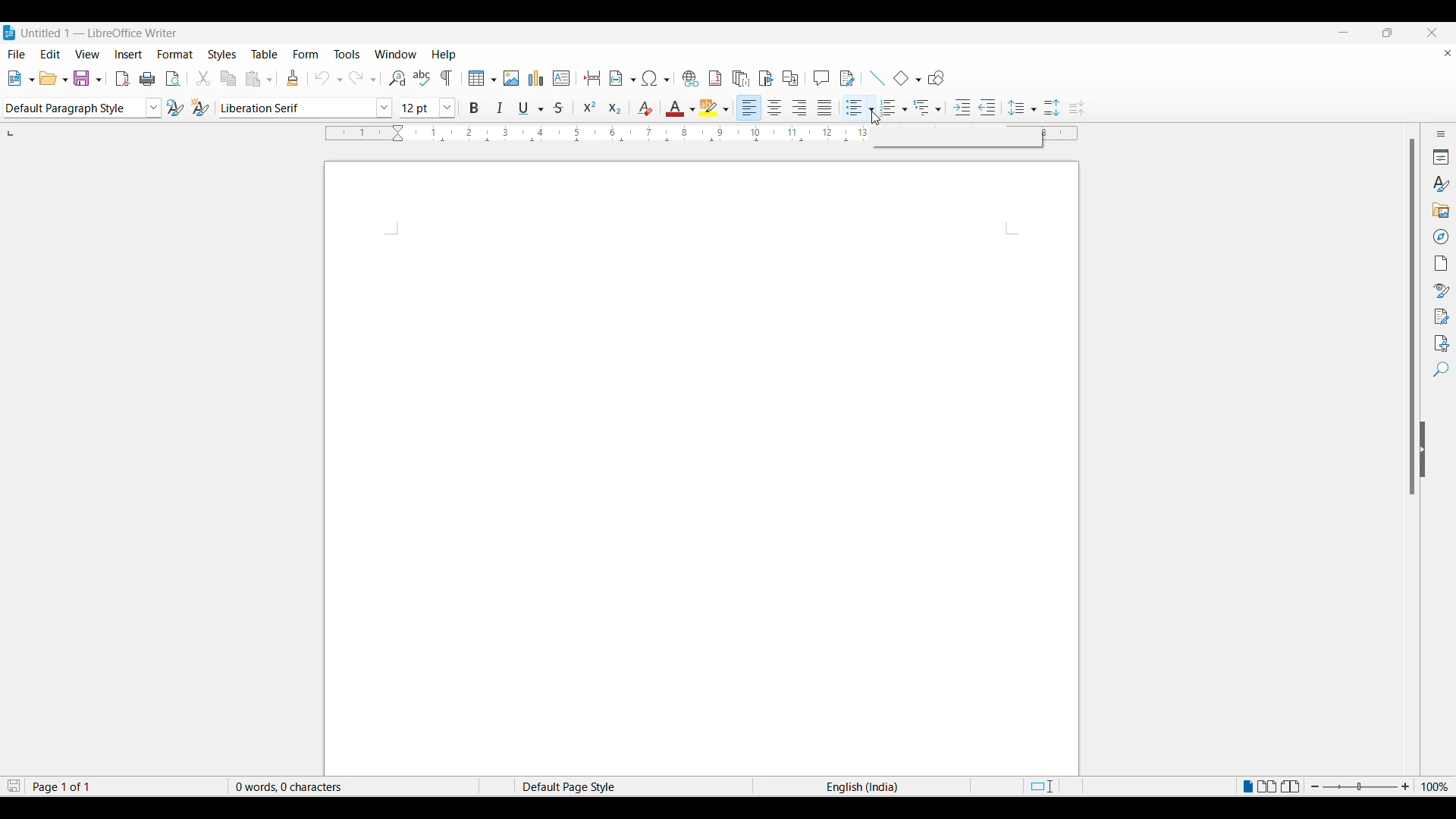  Describe the element at coordinates (512, 80) in the screenshot. I see `insert image` at that location.